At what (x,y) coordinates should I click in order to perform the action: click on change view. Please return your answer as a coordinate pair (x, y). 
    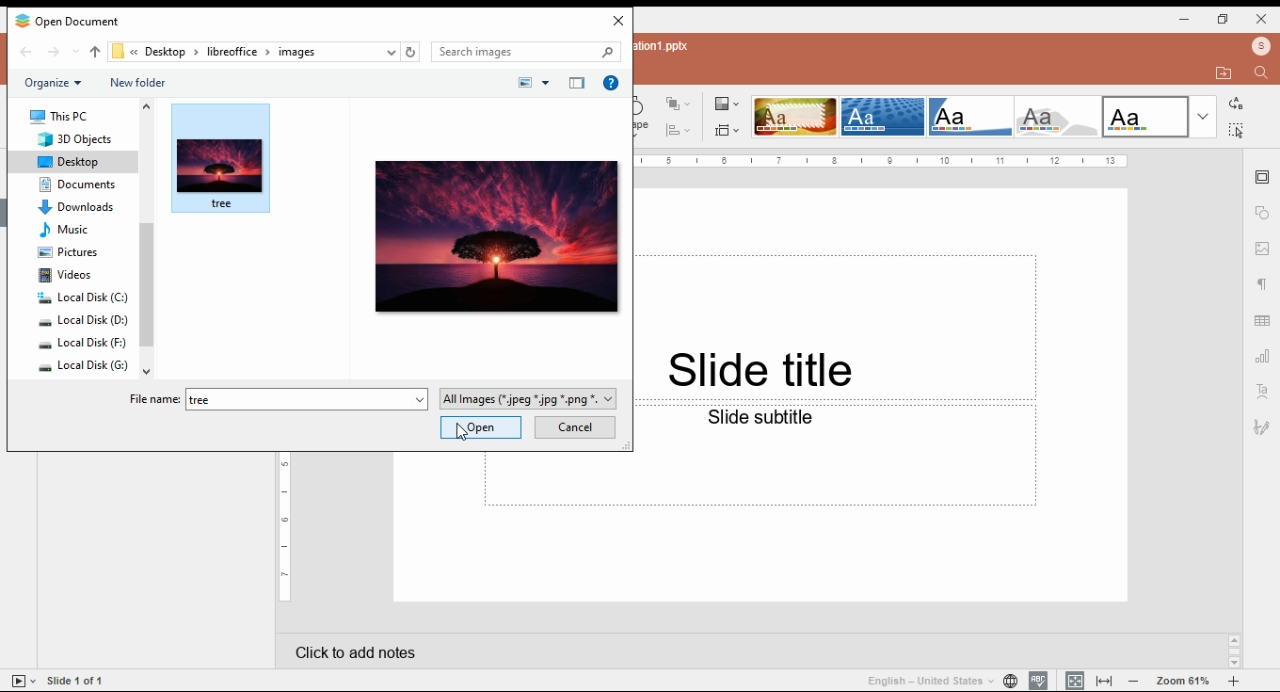
    Looking at the image, I should click on (532, 83).